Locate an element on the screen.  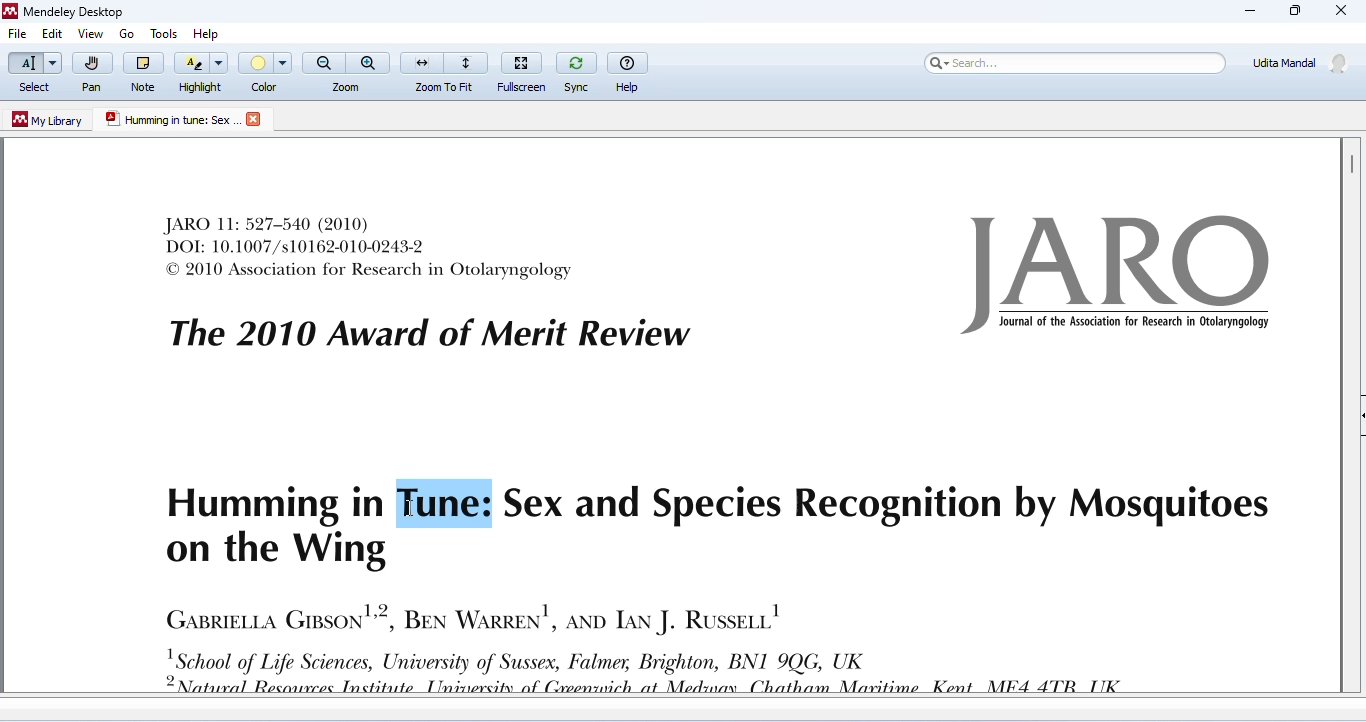
close is located at coordinates (1342, 12).